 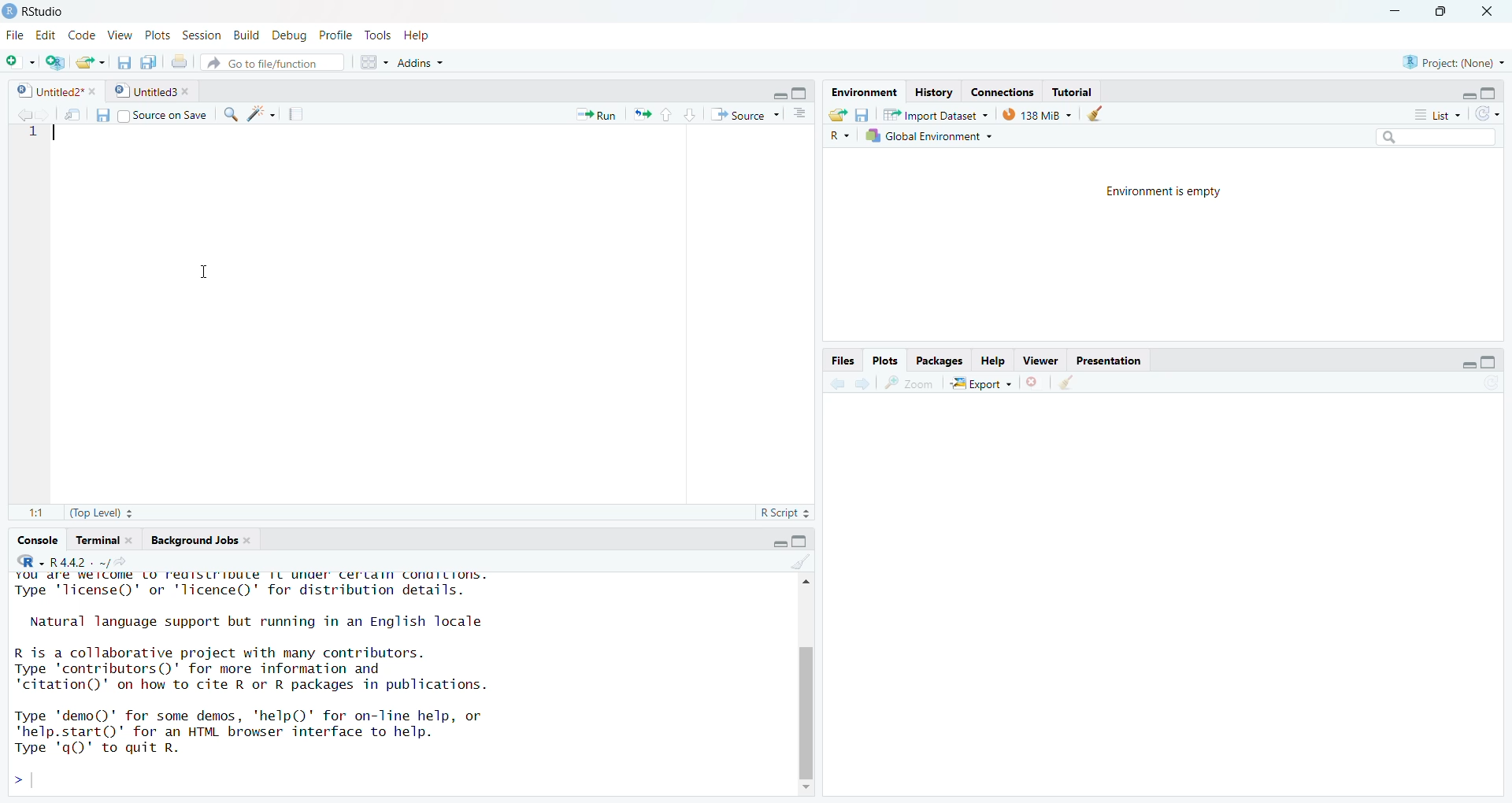 What do you see at coordinates (1163, 193) in the screenshot?
I see `Environment is empty` at bounding box center [1163, 193].